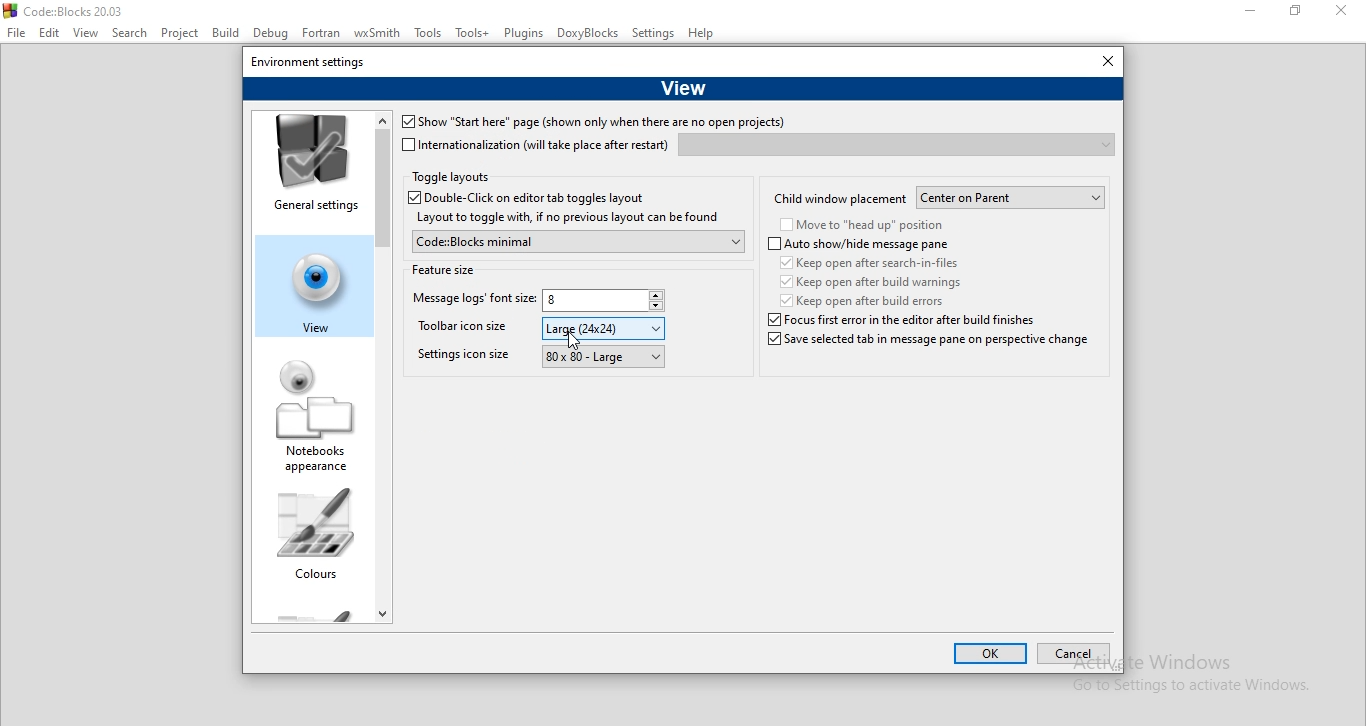  Describe the element at coordinates (1346, 14) in the screenshot. I see `close` at that location.